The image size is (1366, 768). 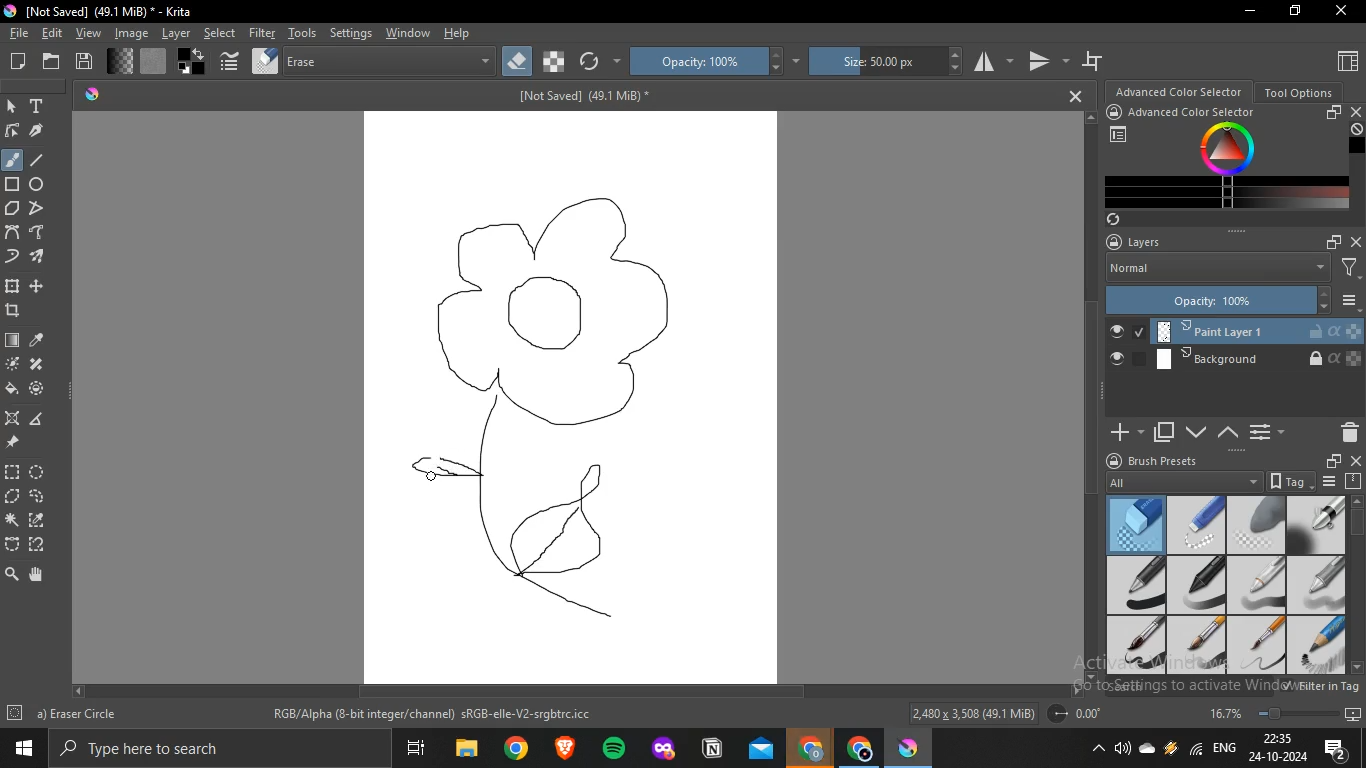 I want to click on polygon tool, so click(x=14, y=207).